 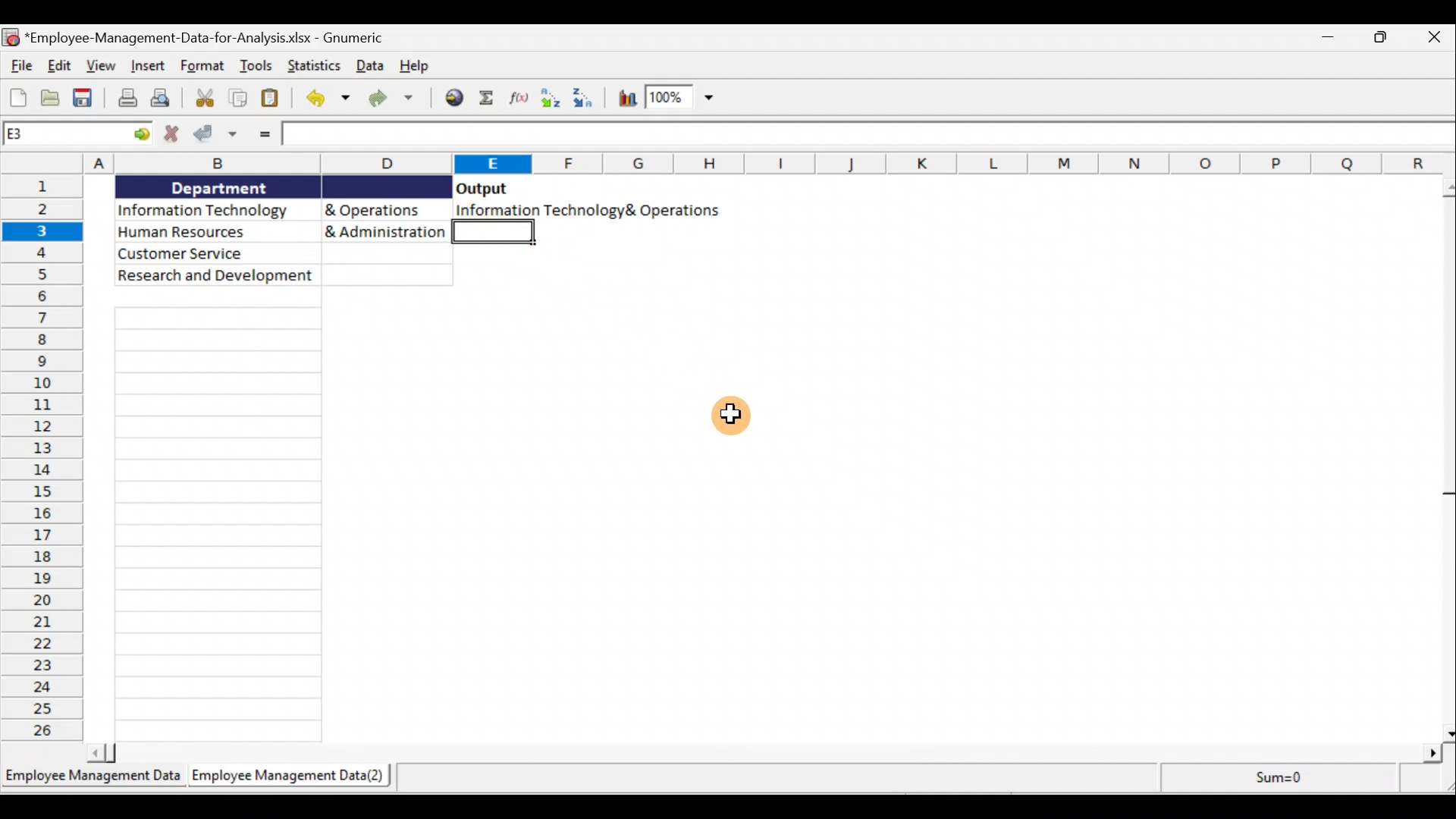 What do you see at coordinates (52, 97) in the screenshot?
I see `Open a file` at bounding box center [52, 97].